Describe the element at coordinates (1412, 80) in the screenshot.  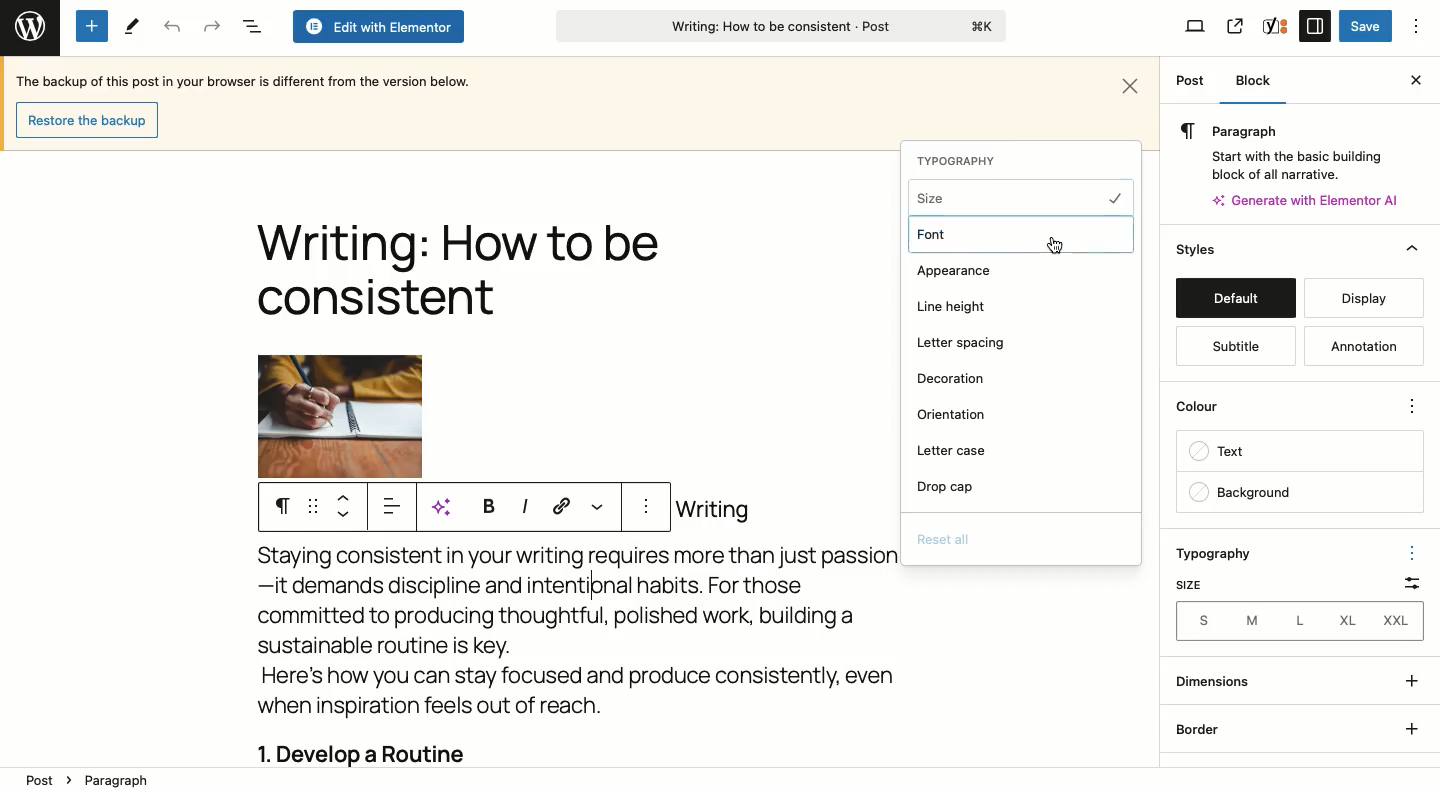
I see `Close` at that location.